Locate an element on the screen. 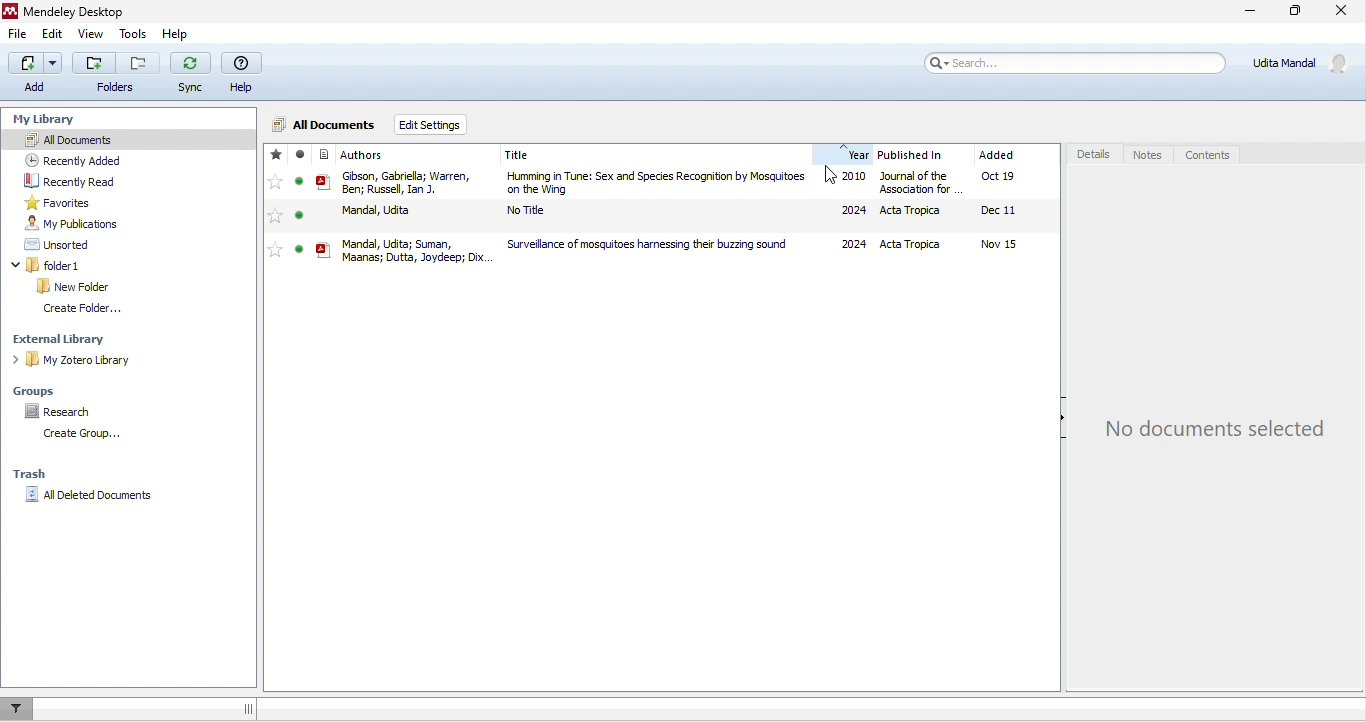 The width and height of the screenshot is (1366, 722). my library is located at coordinates (50, 119).